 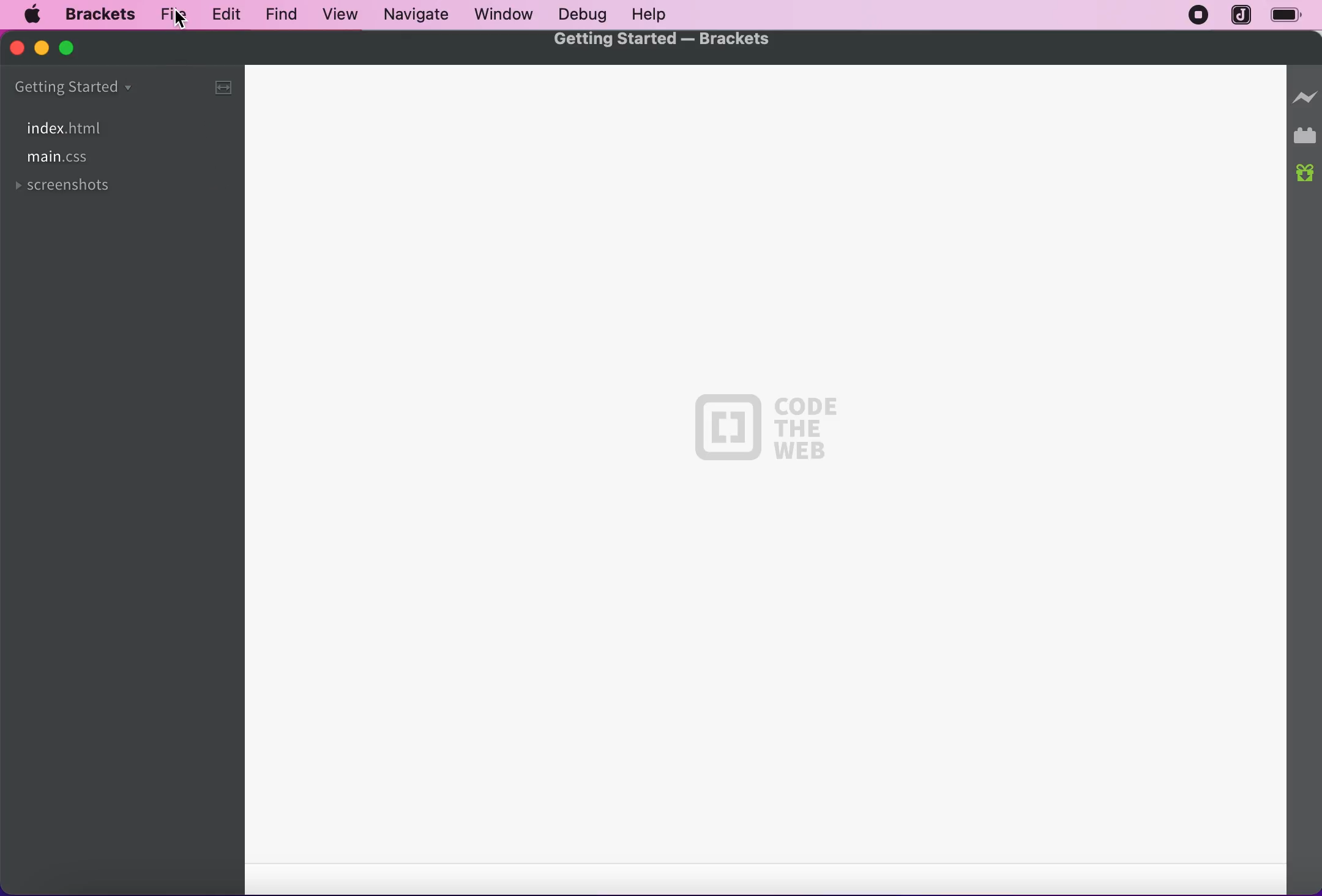 I want to click on window, so click(x=504, y=13).